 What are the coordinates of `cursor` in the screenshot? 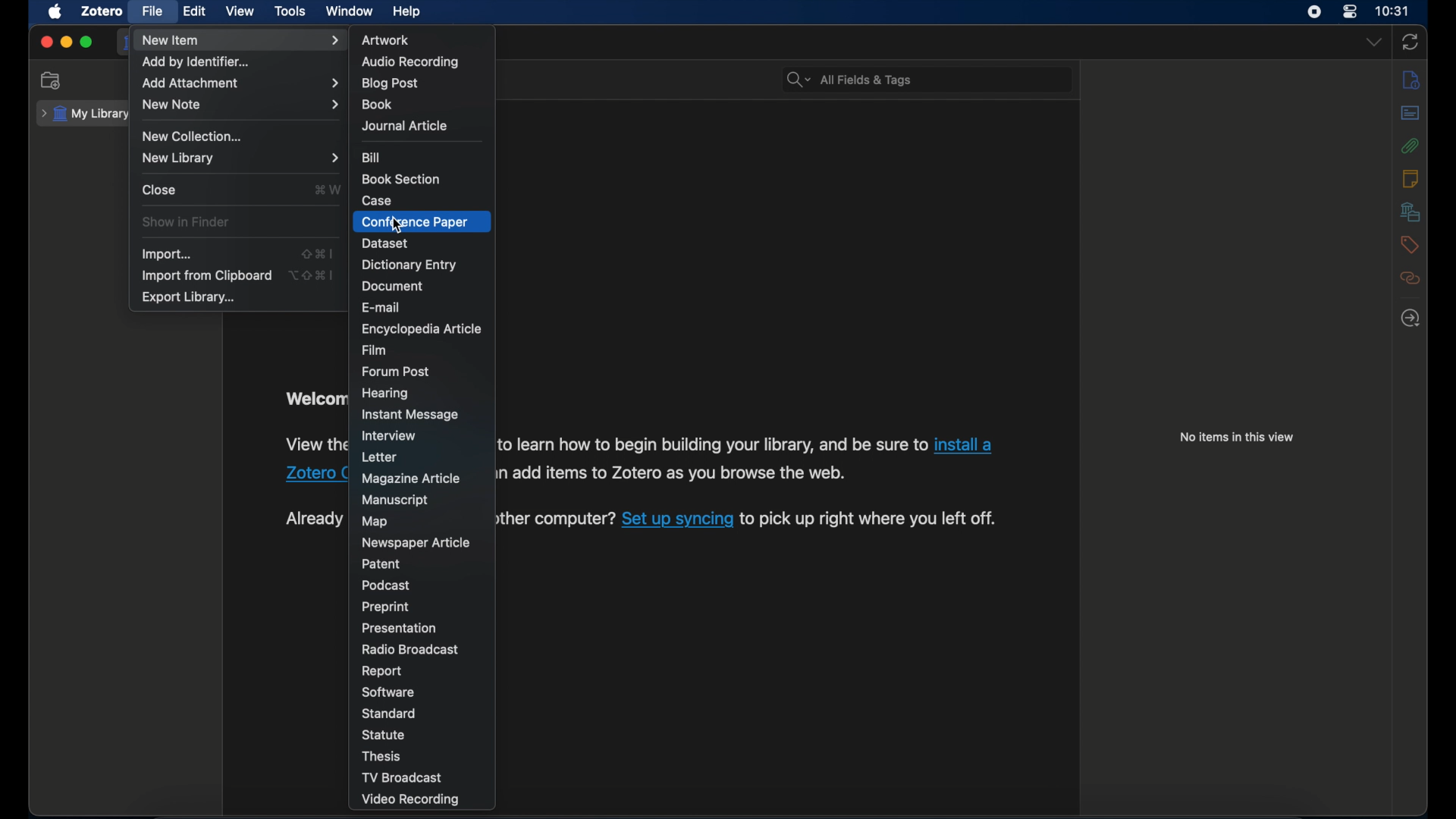 It's located at (397, 224).